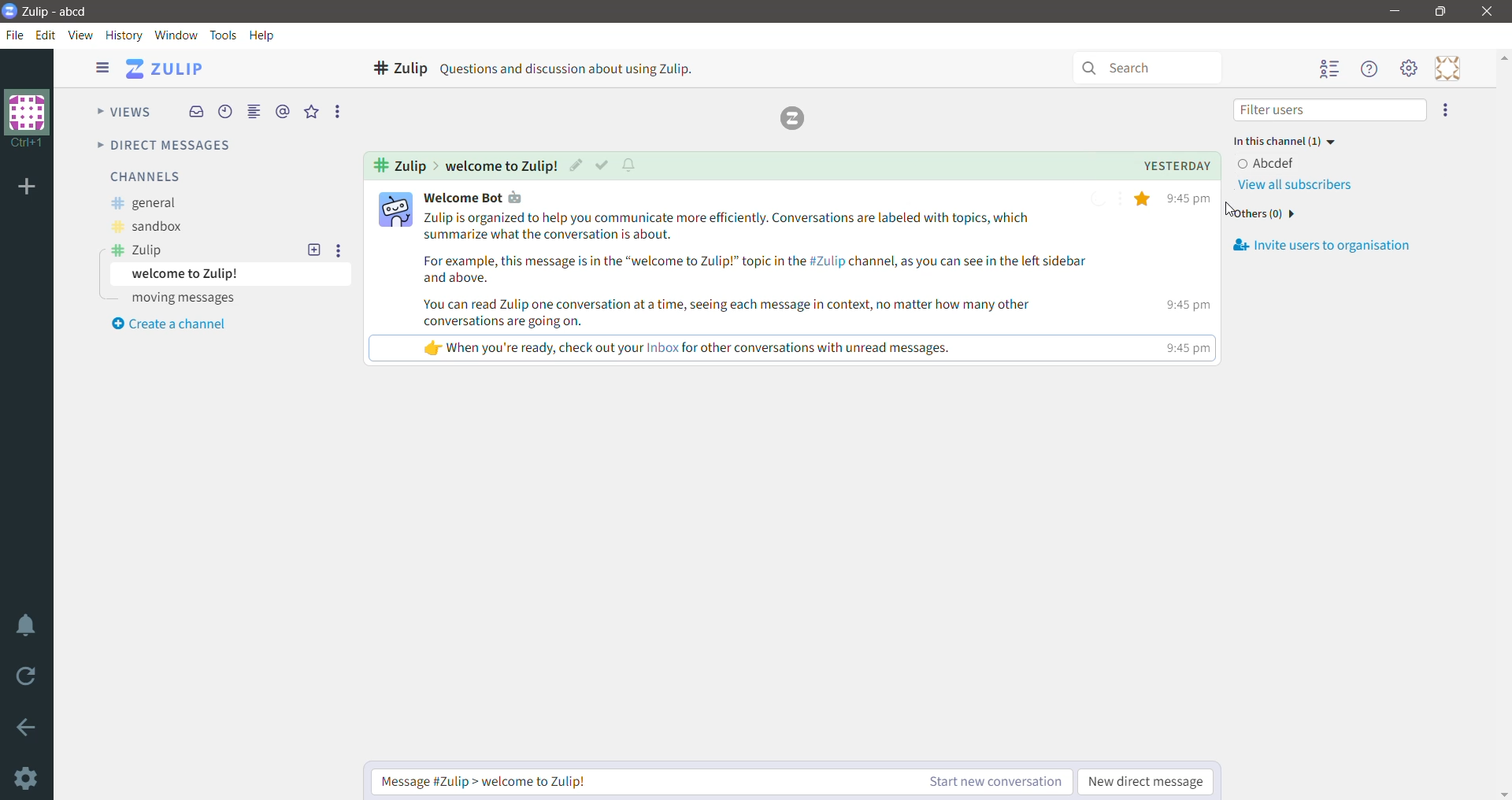 The image size is (1512, 800). I want to click on Type the message in the required channel, so click(624, 780).